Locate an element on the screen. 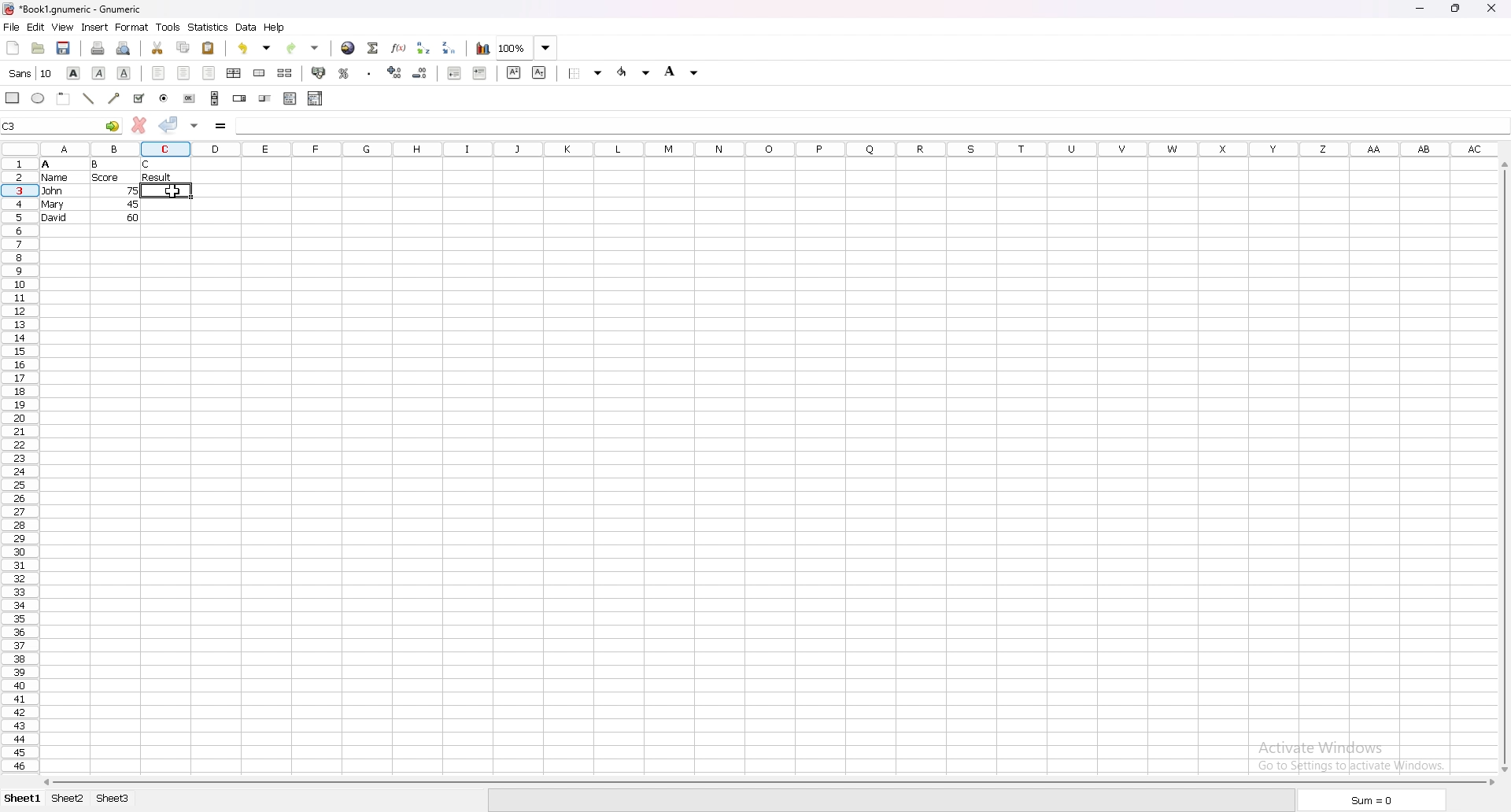 The height and width of the screenshot is (812, 1511). b is located at coordinates (95, 164).